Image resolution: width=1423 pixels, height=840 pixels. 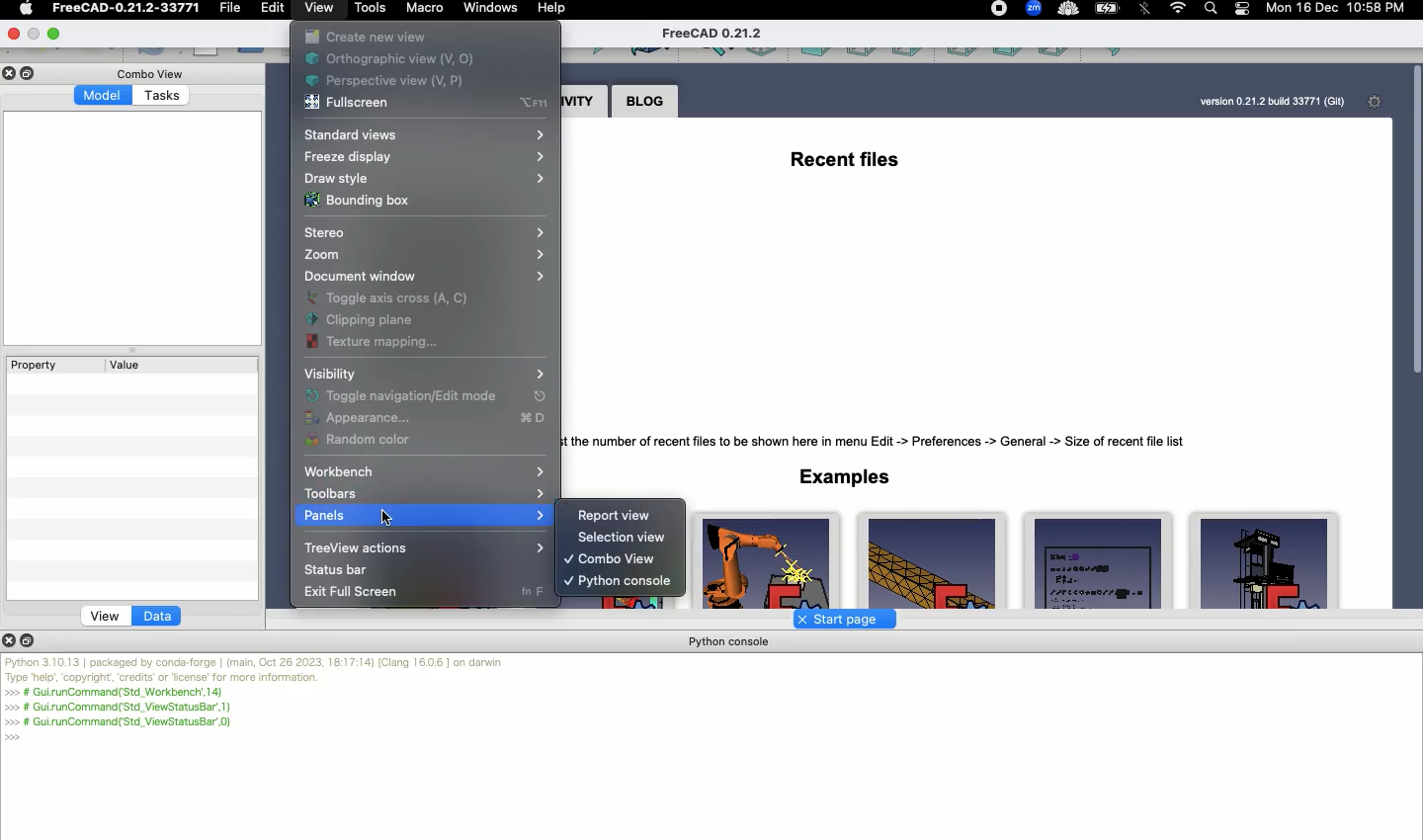 What do you see at coordinates (388, 516) in the screenshot?
I see `cursor` at bounding box center [388, 516].